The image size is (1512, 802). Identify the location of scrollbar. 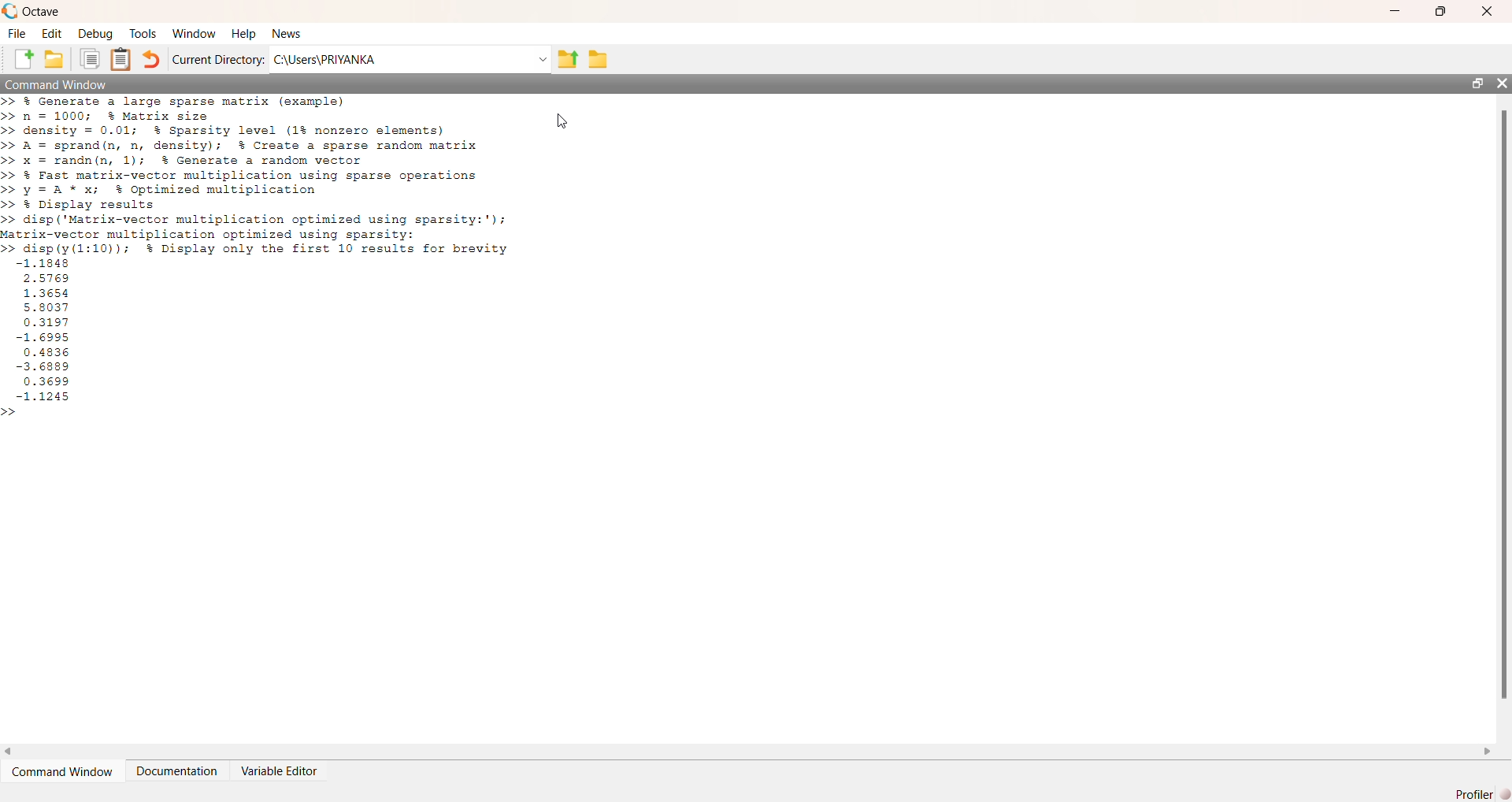
(1502, 405).